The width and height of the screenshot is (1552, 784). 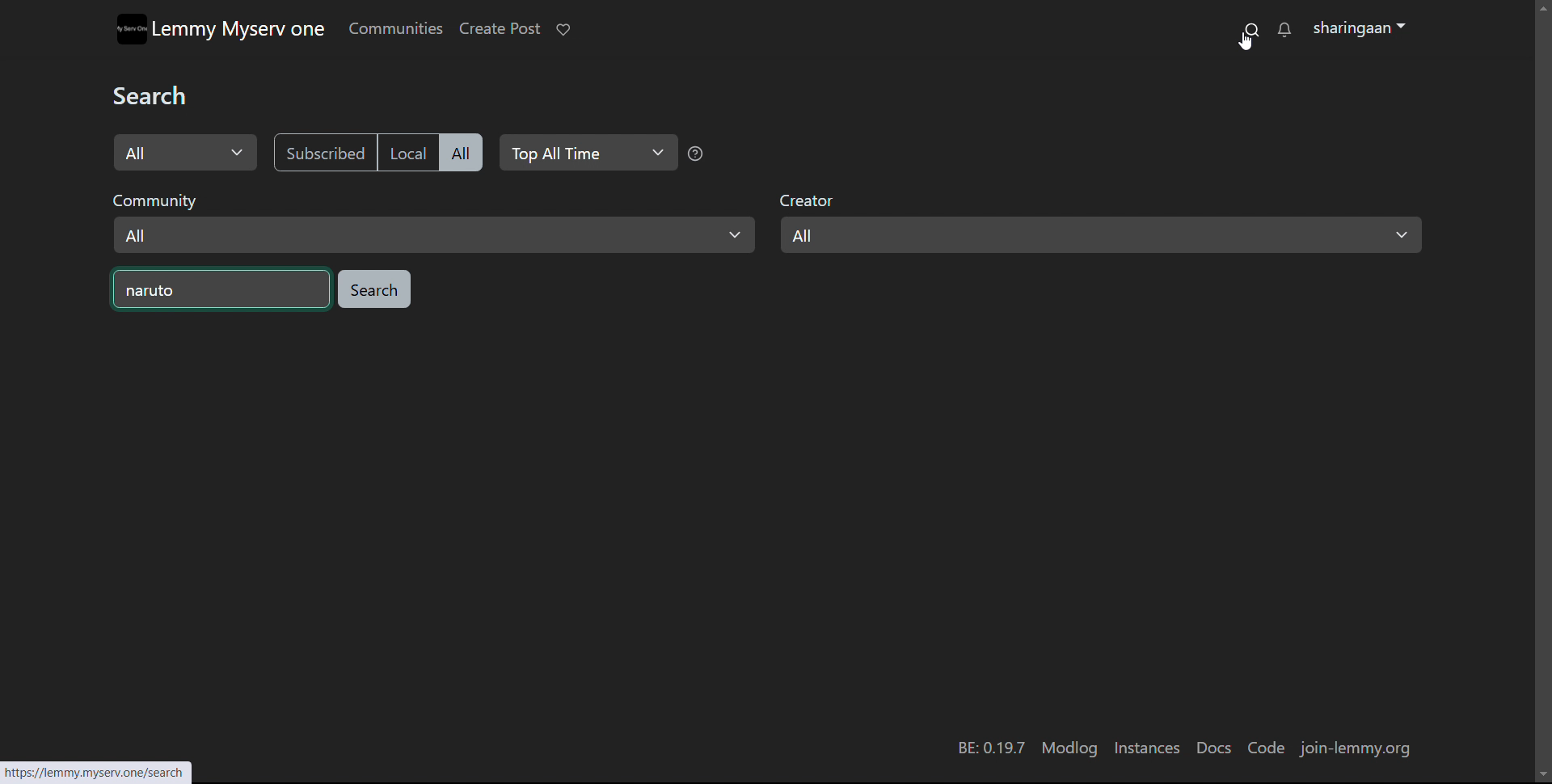 I want to click on Search, so click(x=160, y=95).